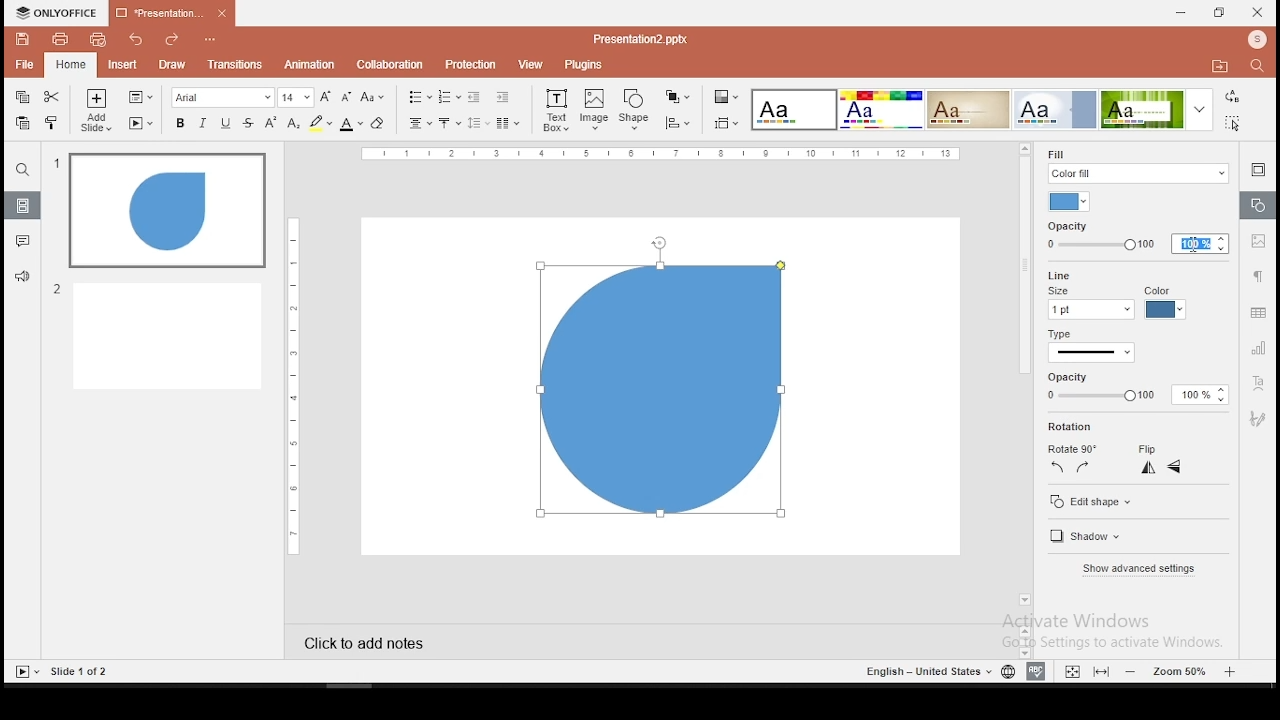 The image size is (1280, 720). What do you see at coordinates (373, 98) in the screenshot?
I see `change case` at bounding box center [373, 98].